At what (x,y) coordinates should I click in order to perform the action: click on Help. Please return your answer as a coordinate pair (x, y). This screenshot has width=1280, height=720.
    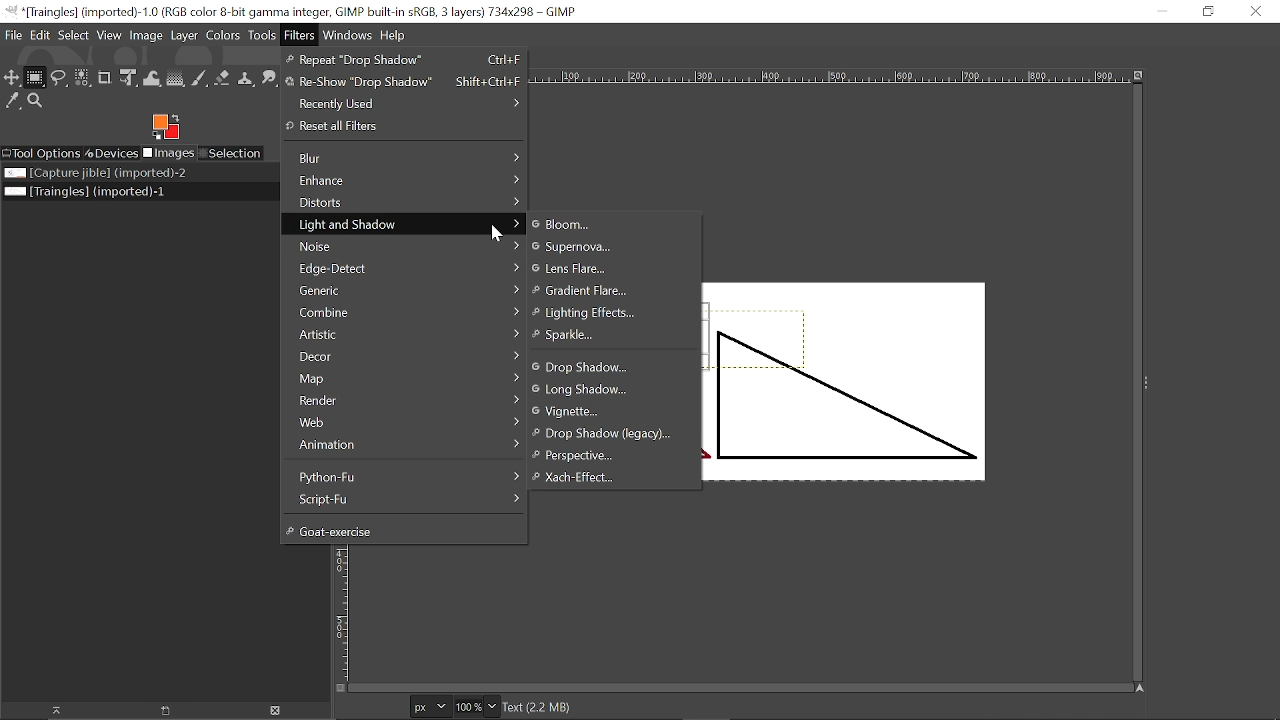
    Looking at the image, I should click on (393, 35).